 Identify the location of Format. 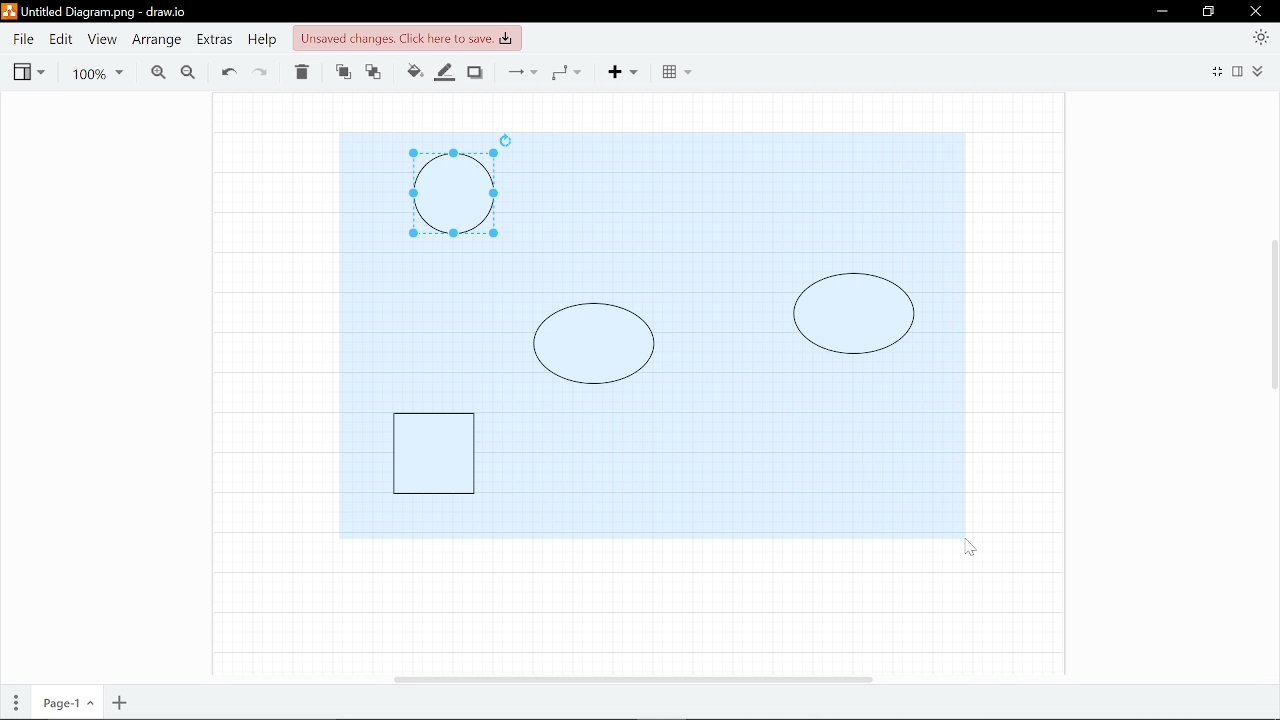
(1240, 71).